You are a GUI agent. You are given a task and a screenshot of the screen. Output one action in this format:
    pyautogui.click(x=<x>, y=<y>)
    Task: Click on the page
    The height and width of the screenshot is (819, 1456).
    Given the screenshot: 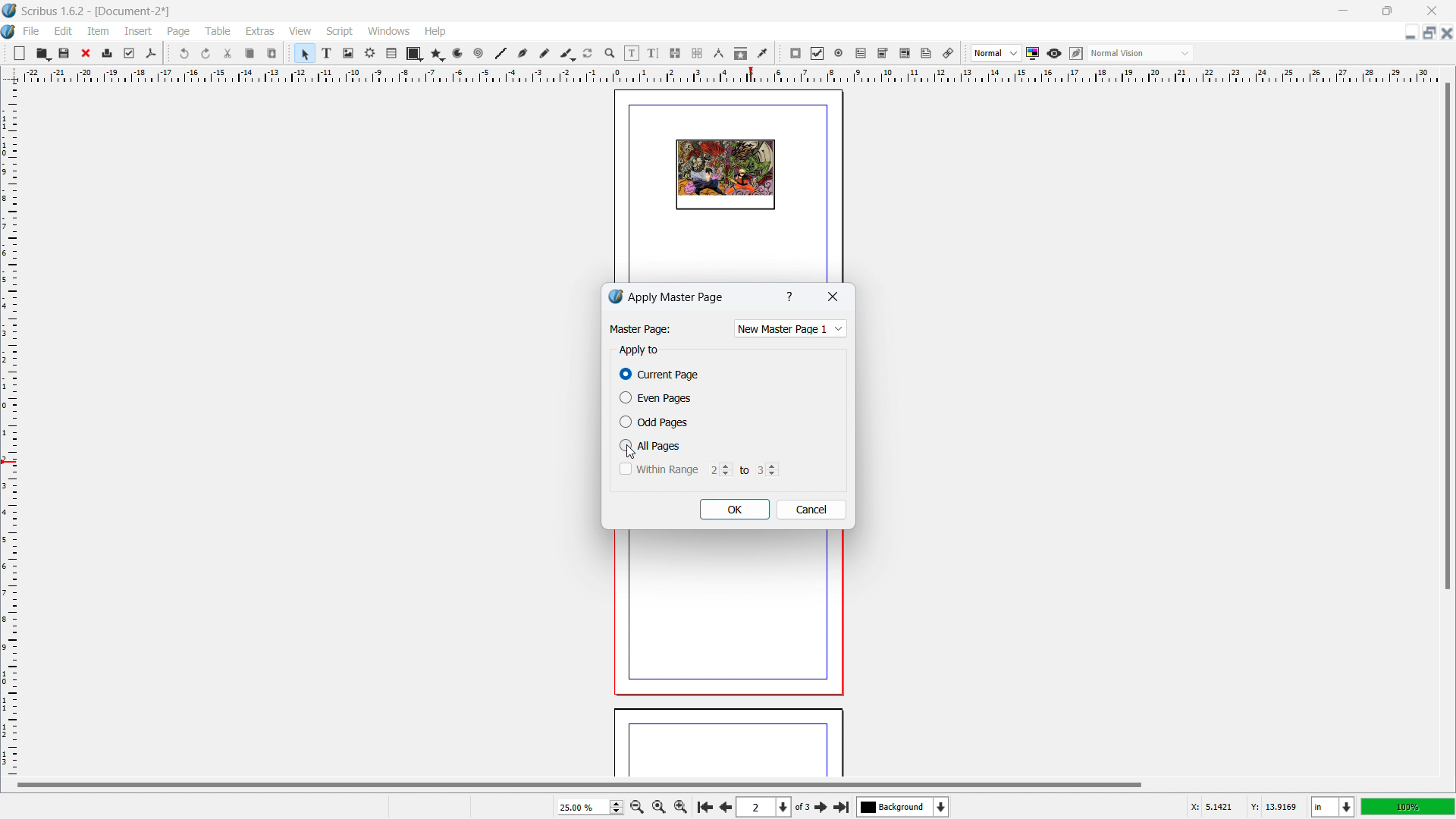 What is the action you would take?
    pyautogui.click(x=723, y=618)
    